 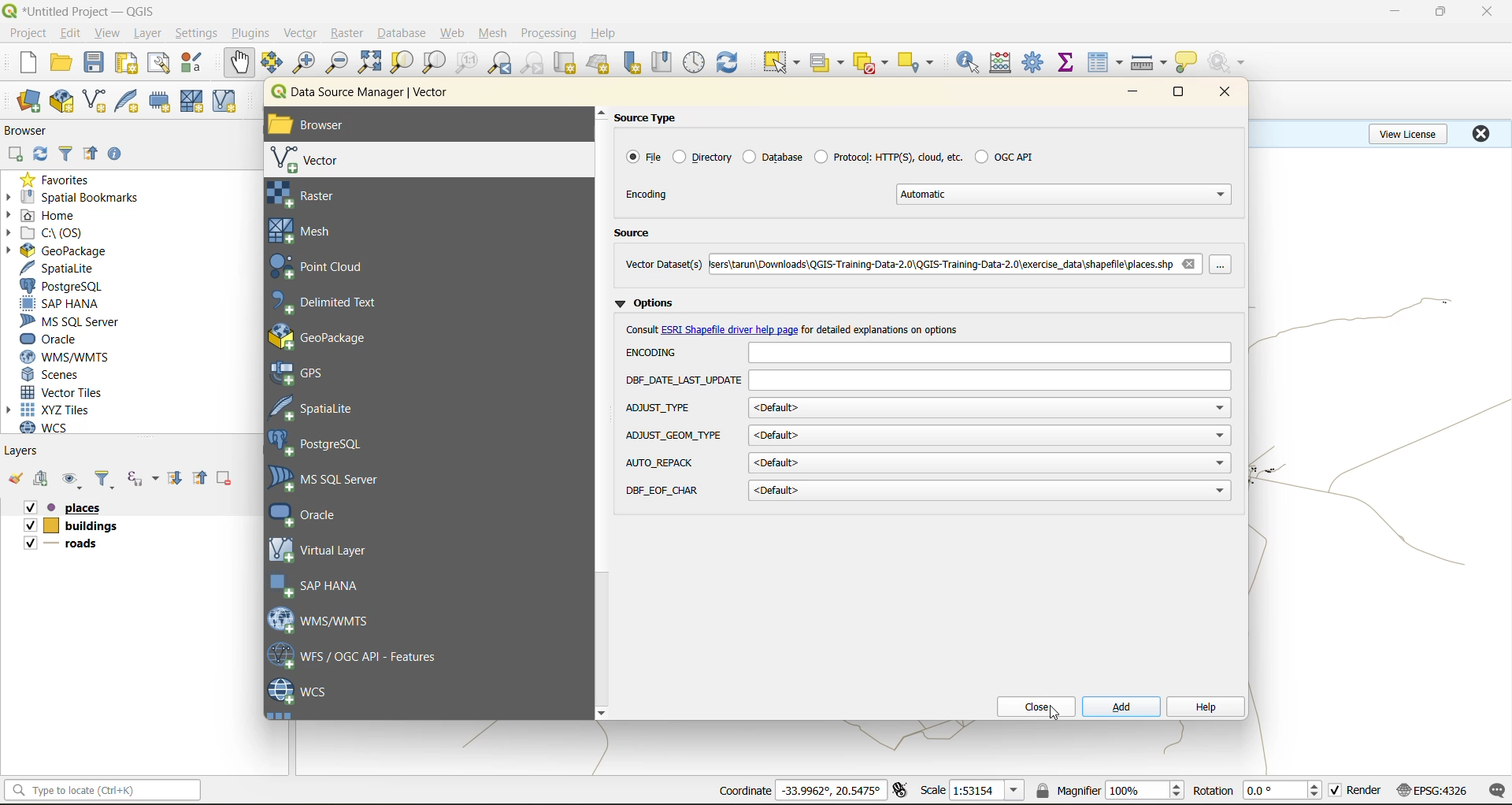 I want to click on help info, so click(x=885, y=329).